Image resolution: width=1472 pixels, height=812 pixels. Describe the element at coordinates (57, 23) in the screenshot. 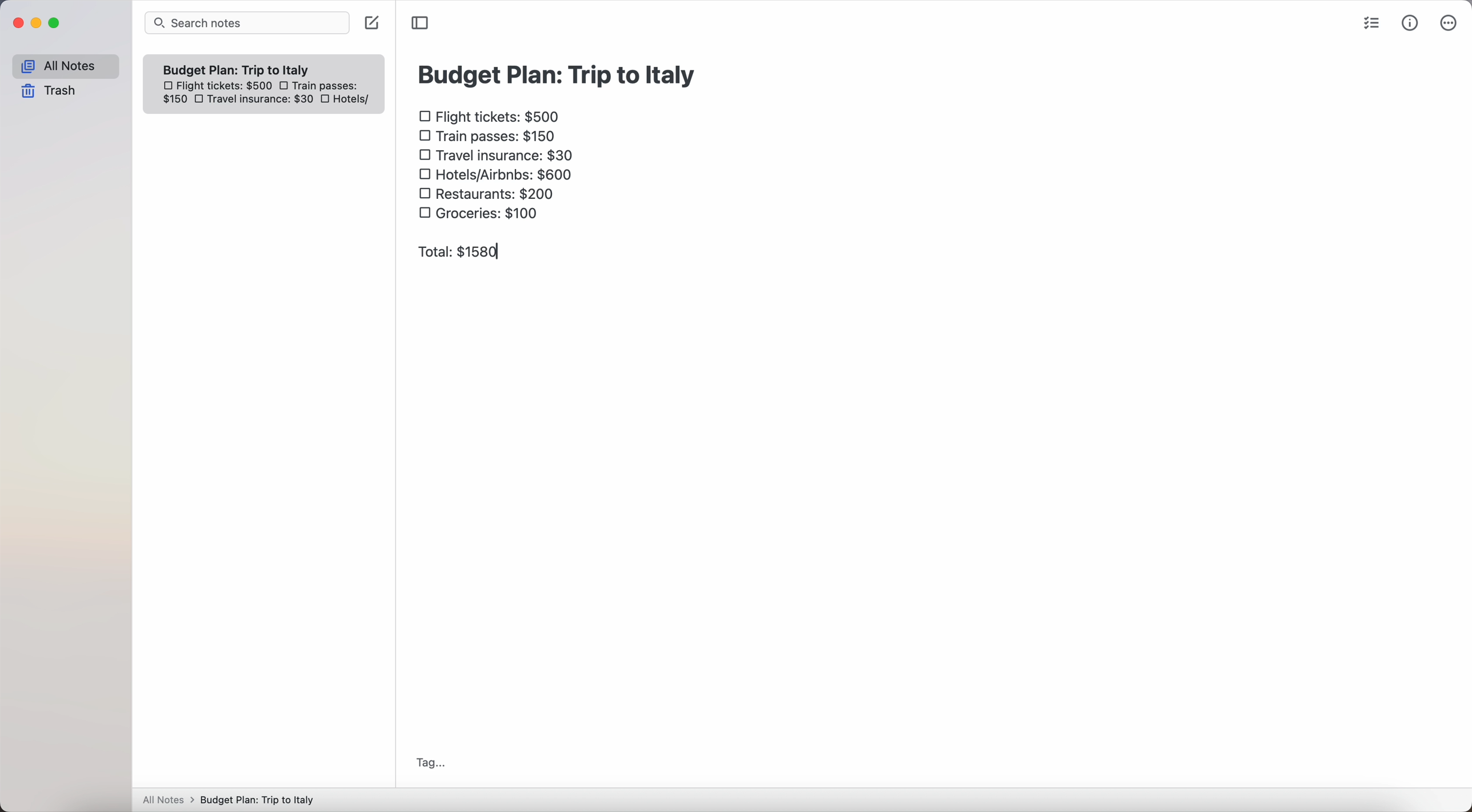

I see `maximize` at that location.